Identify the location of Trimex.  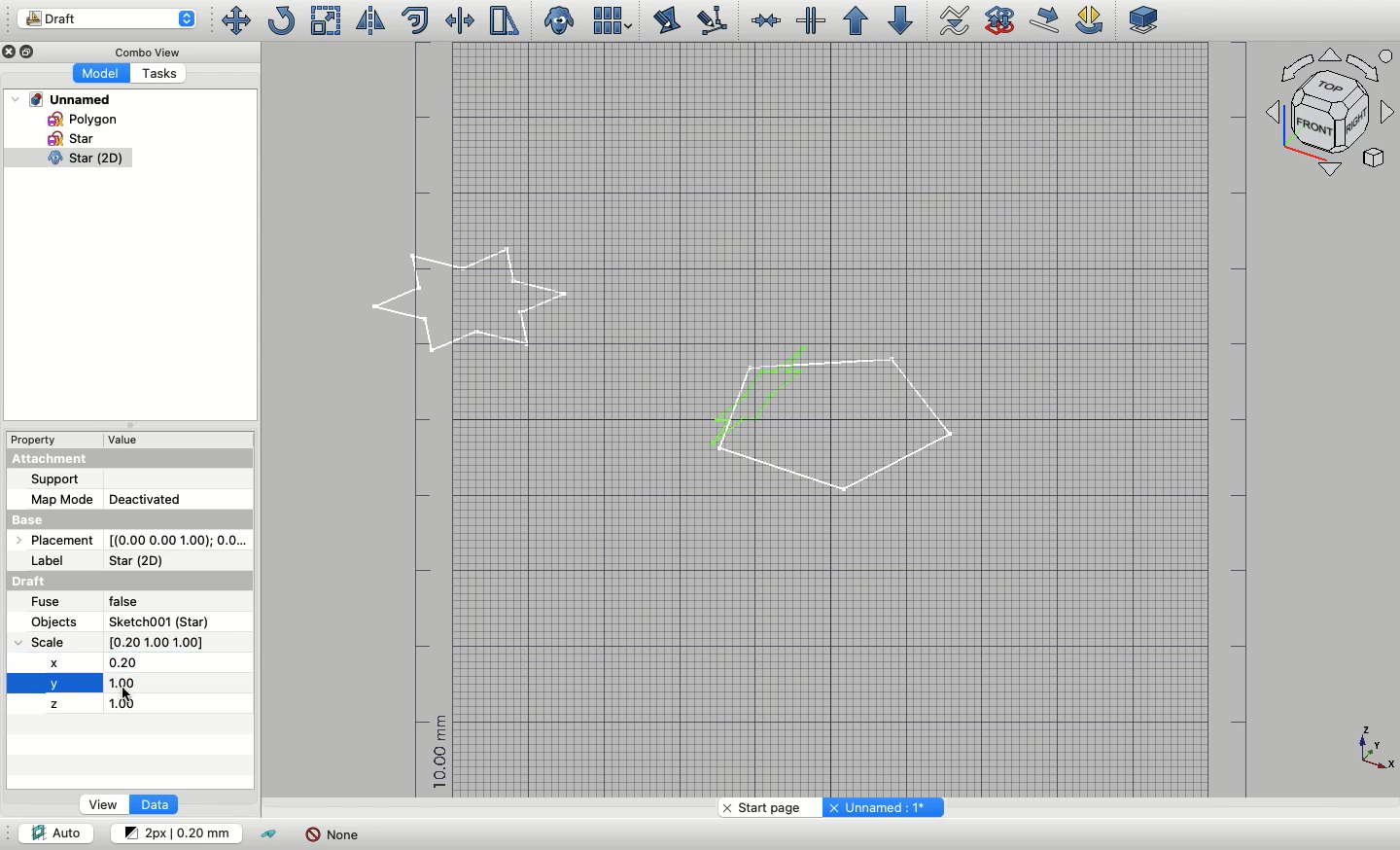
(462, 20).